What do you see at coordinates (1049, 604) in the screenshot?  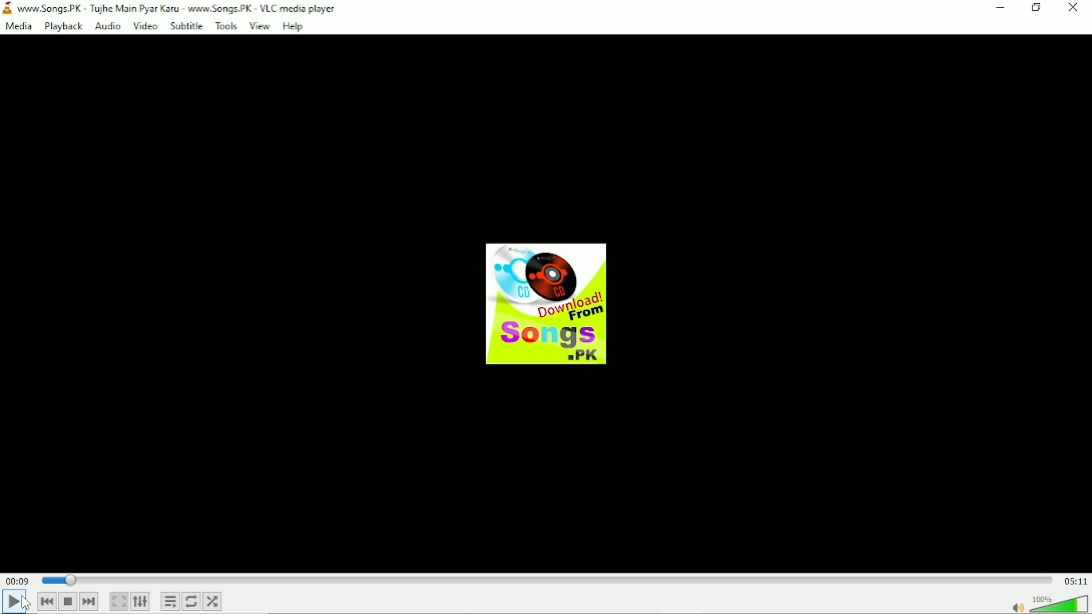 I see `Volume` at bounding box center [1049, 604].